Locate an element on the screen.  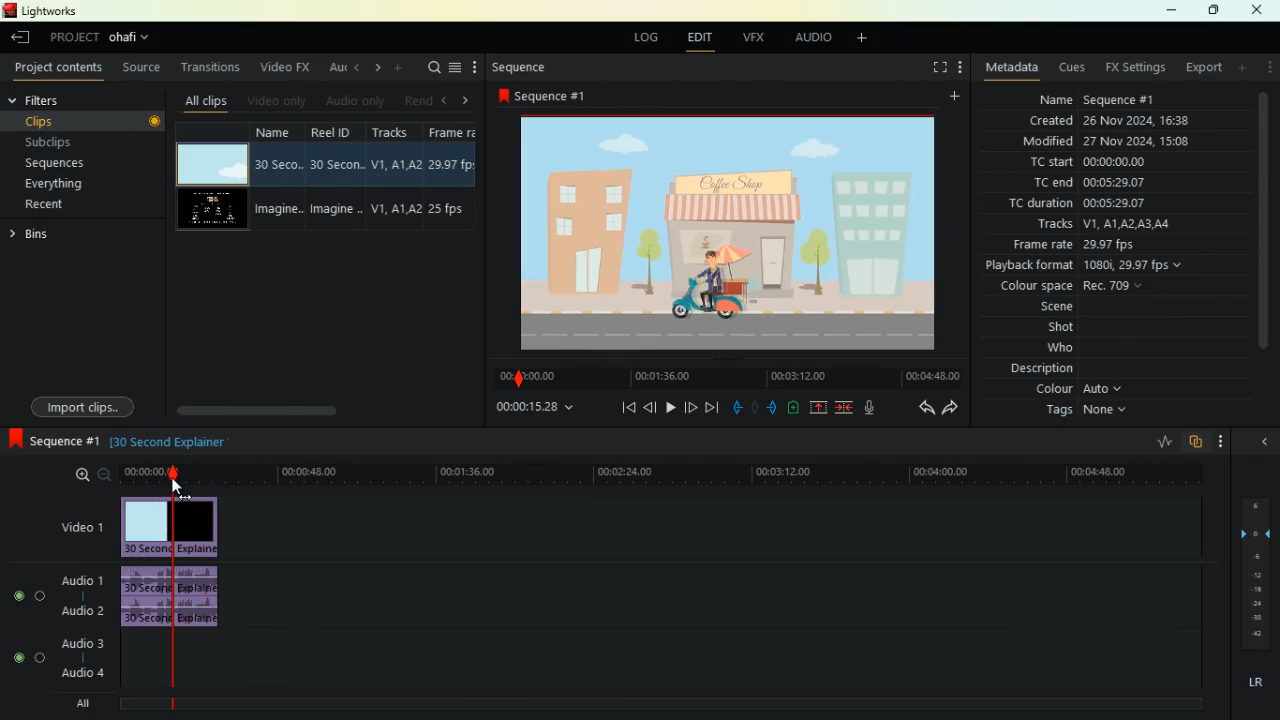
who is located at coordinates (1047, 349).